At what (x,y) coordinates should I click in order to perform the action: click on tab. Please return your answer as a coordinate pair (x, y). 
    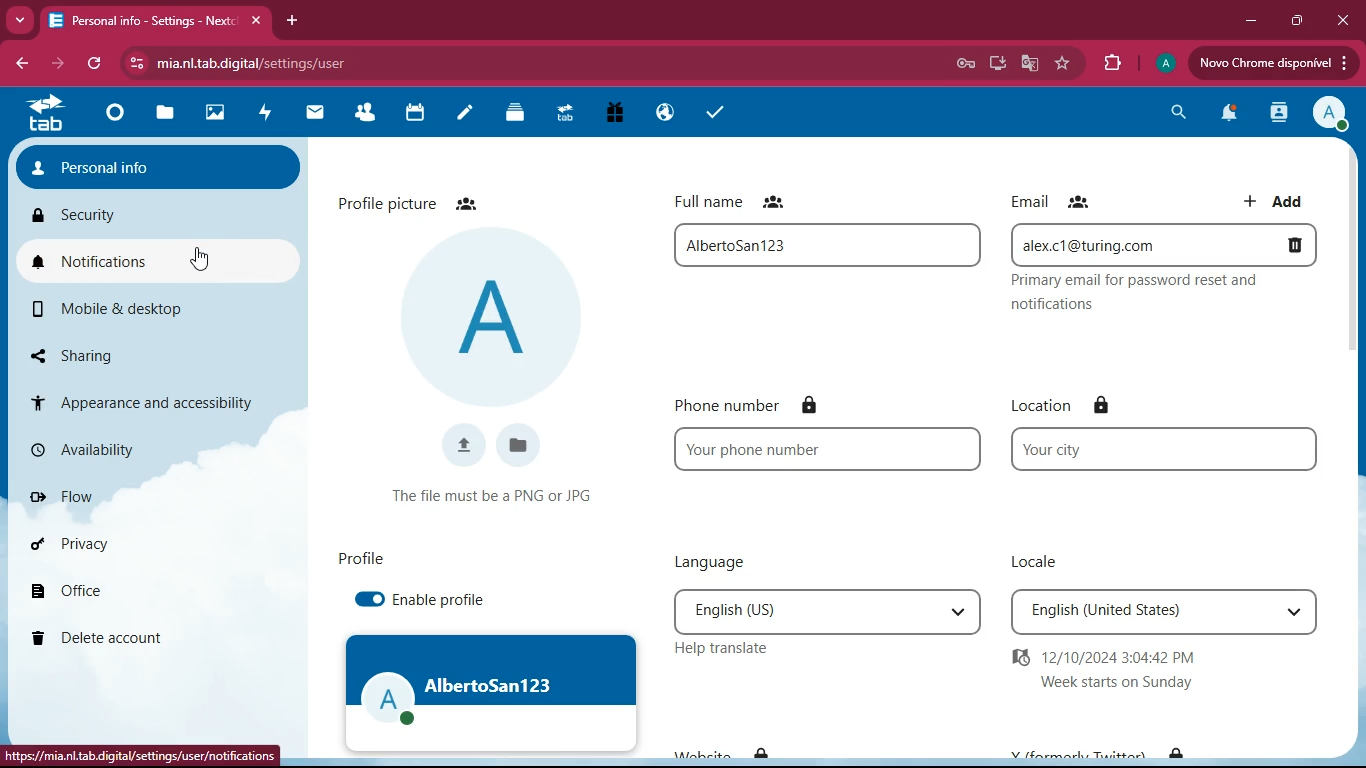
    Looking at the image, I should click on (569, 116).